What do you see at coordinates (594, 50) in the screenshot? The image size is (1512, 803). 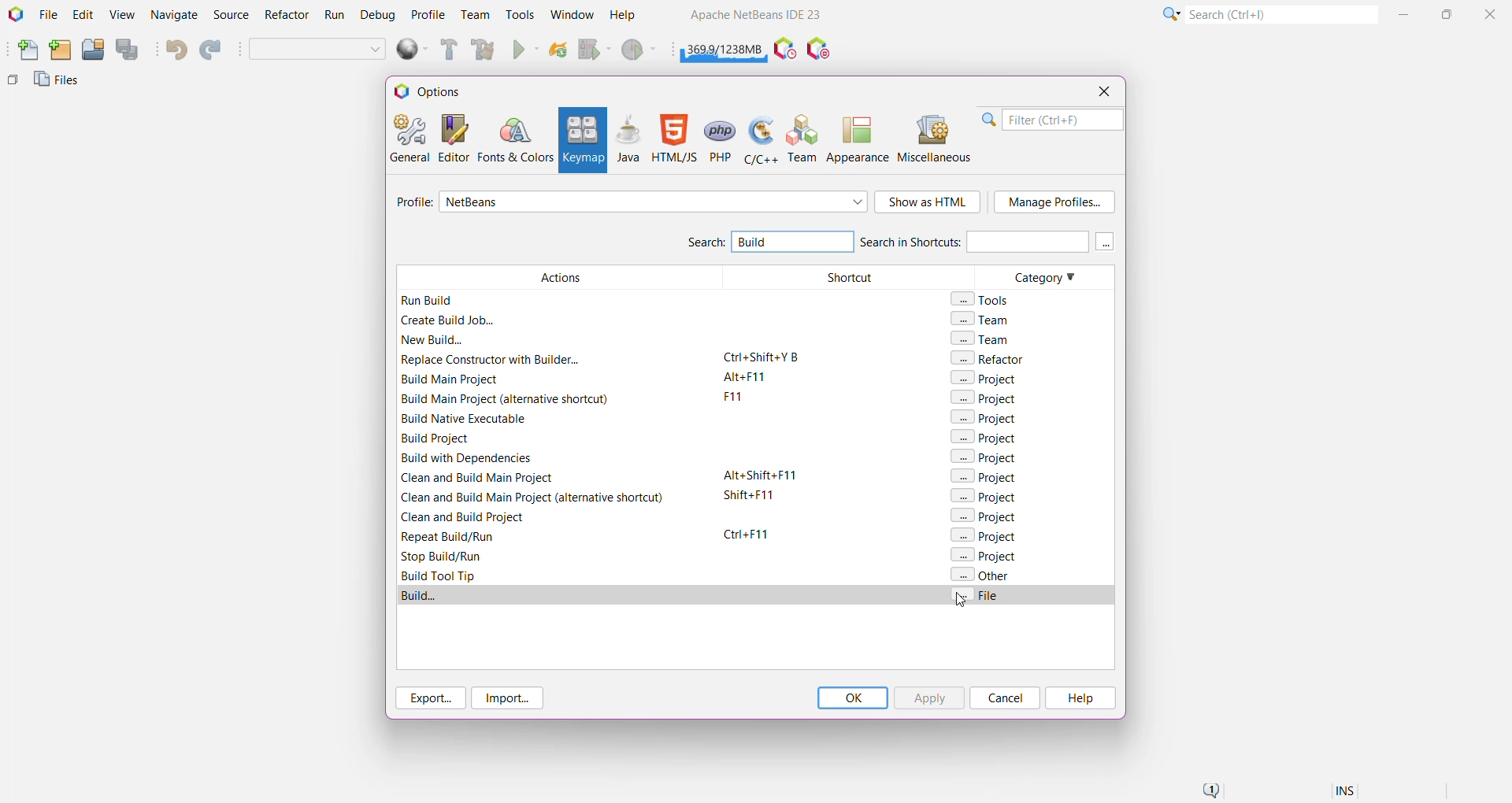 I see `Debug Main Project` at bounding box center [594, 50].